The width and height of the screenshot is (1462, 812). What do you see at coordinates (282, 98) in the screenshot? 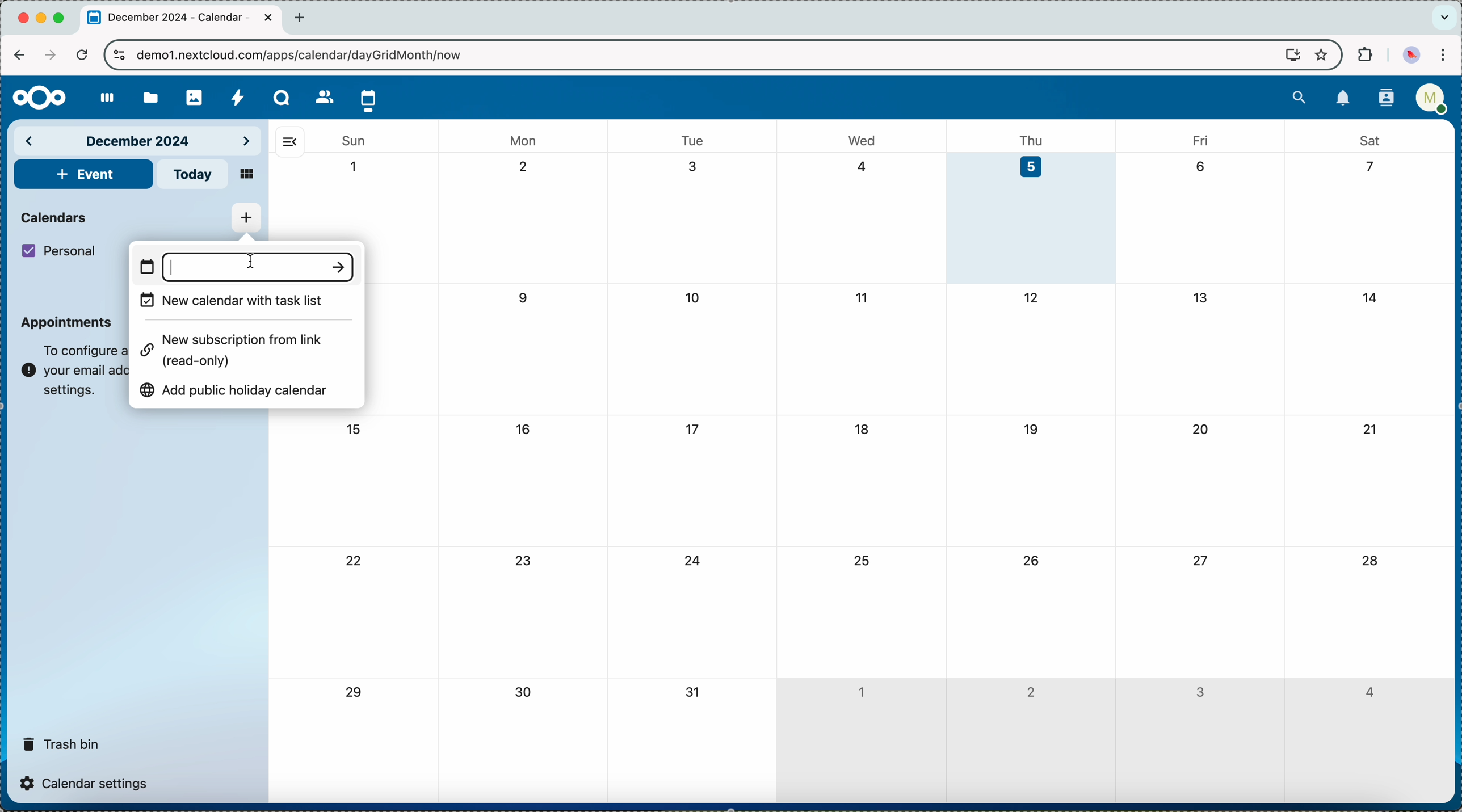
I see `Talk` at bounding box center [282, 98].